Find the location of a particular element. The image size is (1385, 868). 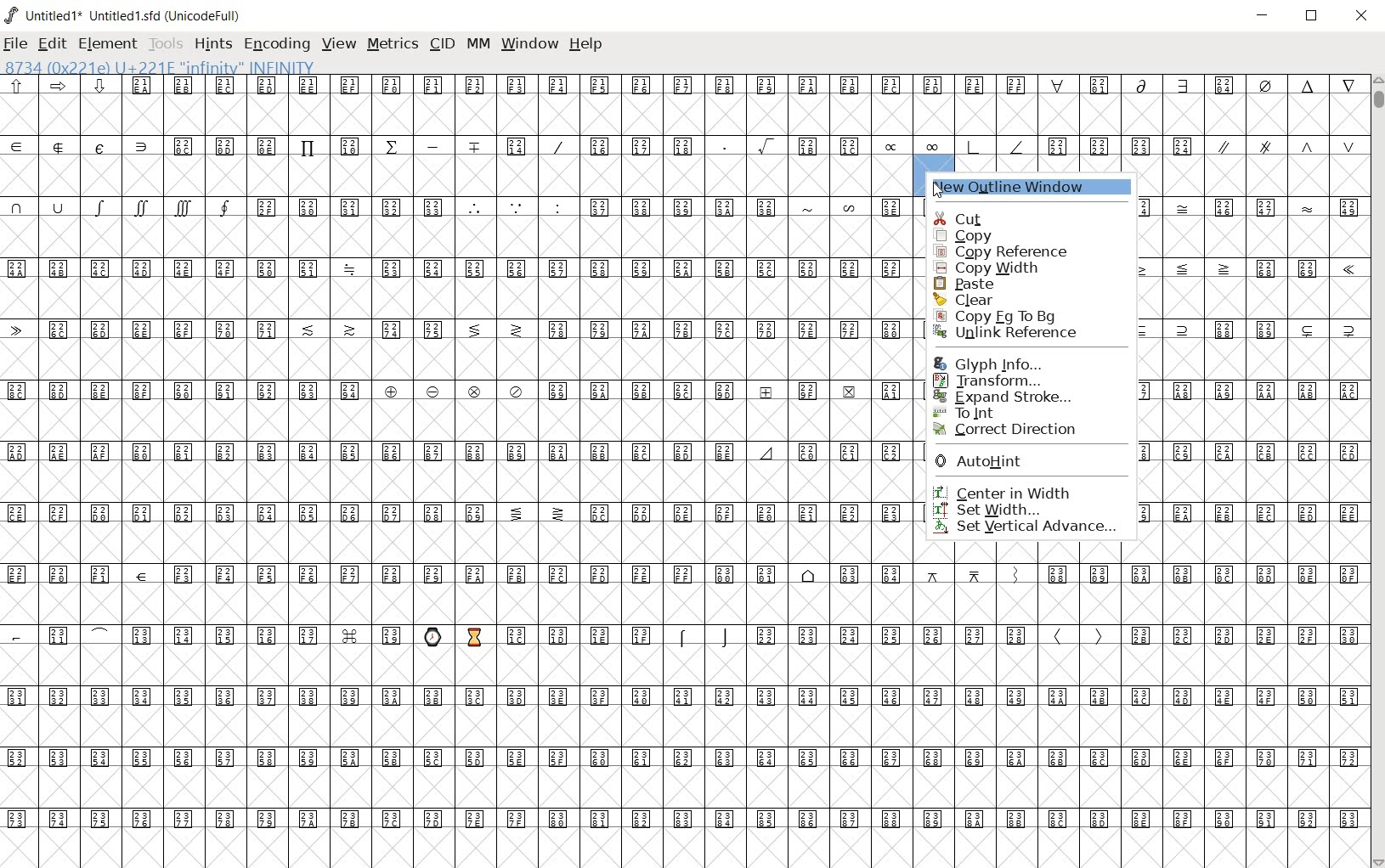

Unicode code points is located at coordinates (350, 206).